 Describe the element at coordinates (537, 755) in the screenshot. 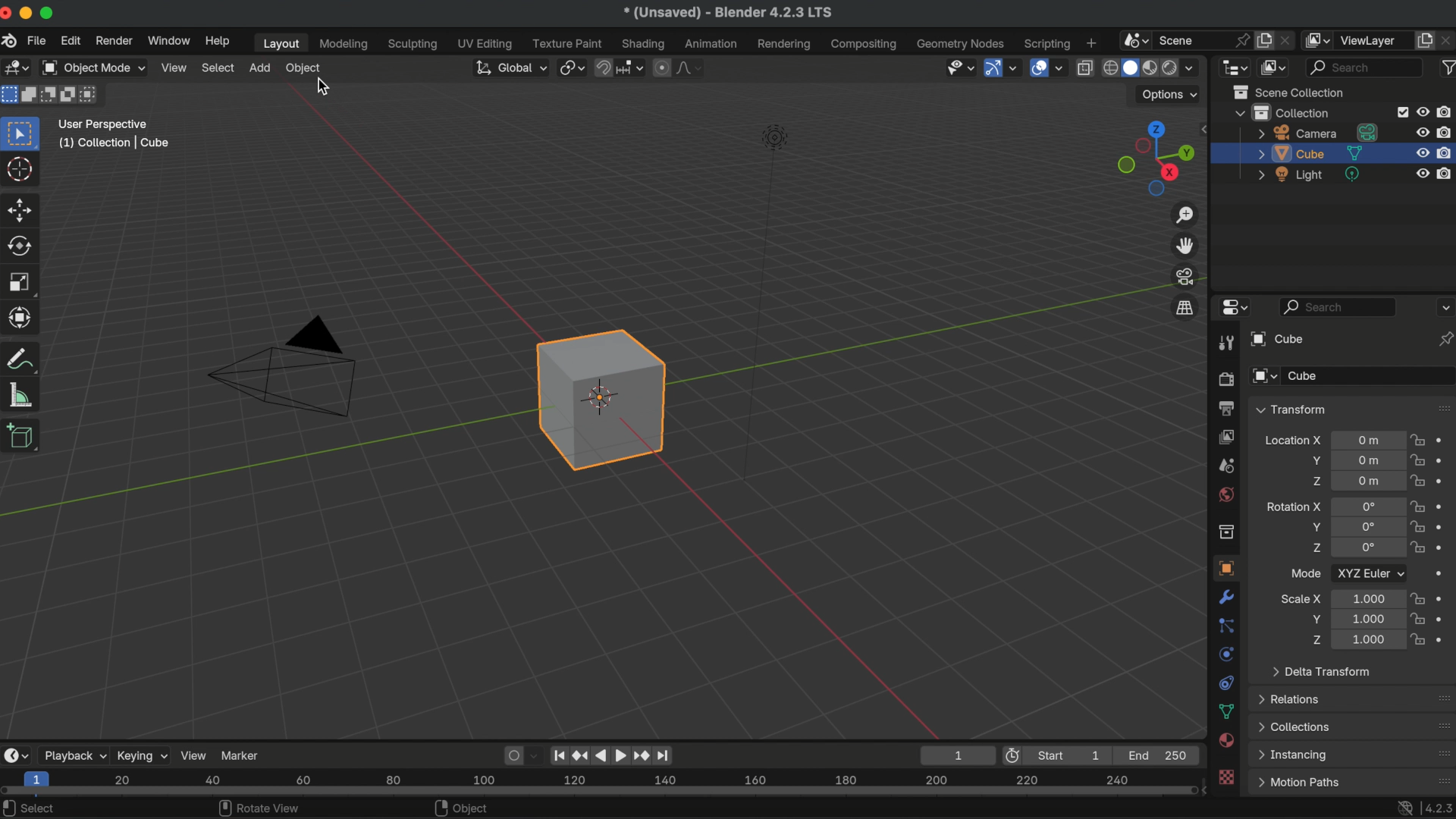

I see `auto keyframing` at that location.